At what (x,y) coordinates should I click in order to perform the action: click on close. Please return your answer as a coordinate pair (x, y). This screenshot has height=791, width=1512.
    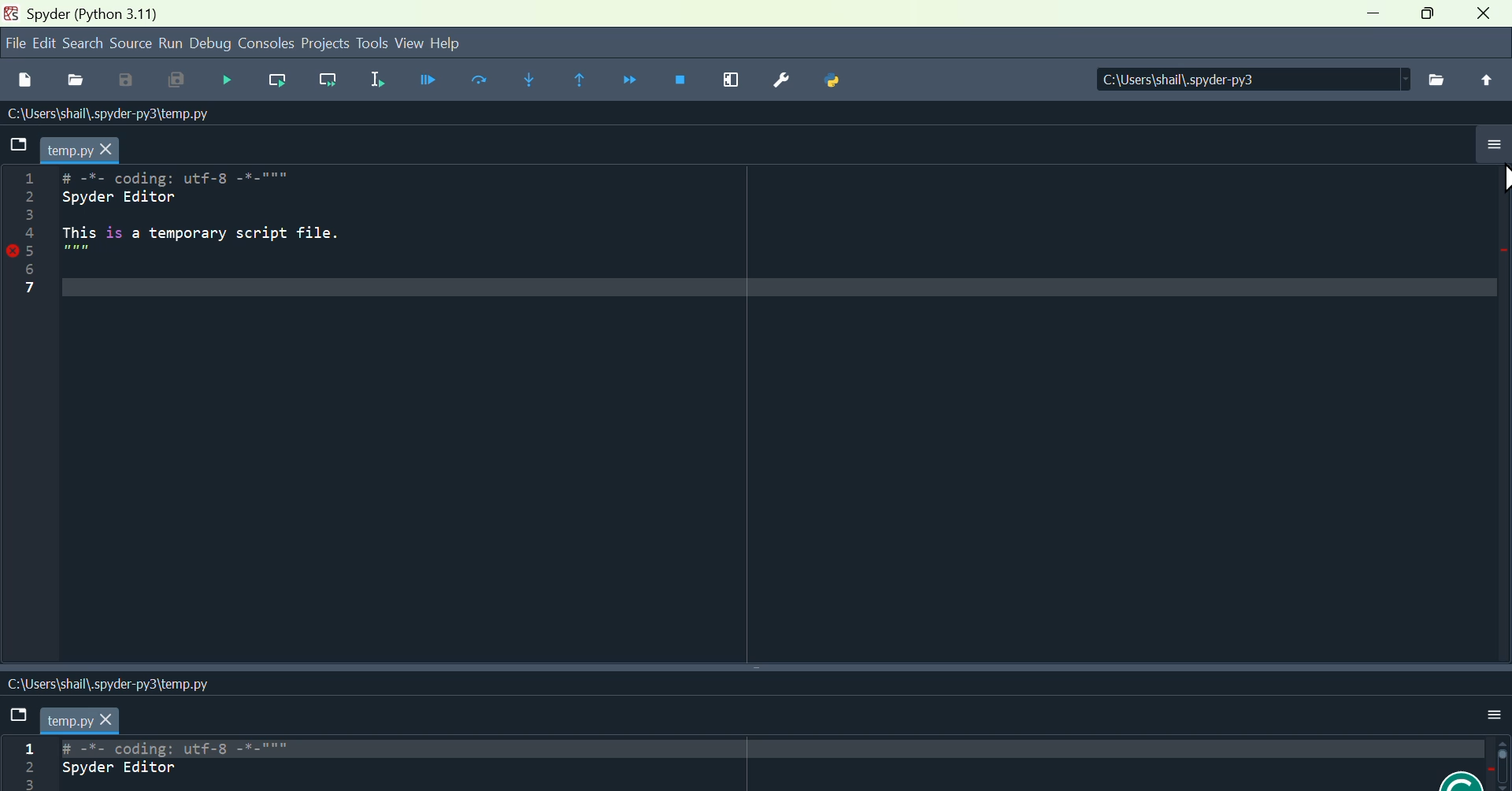
    Looking at the image, I should click on (1484, 17).